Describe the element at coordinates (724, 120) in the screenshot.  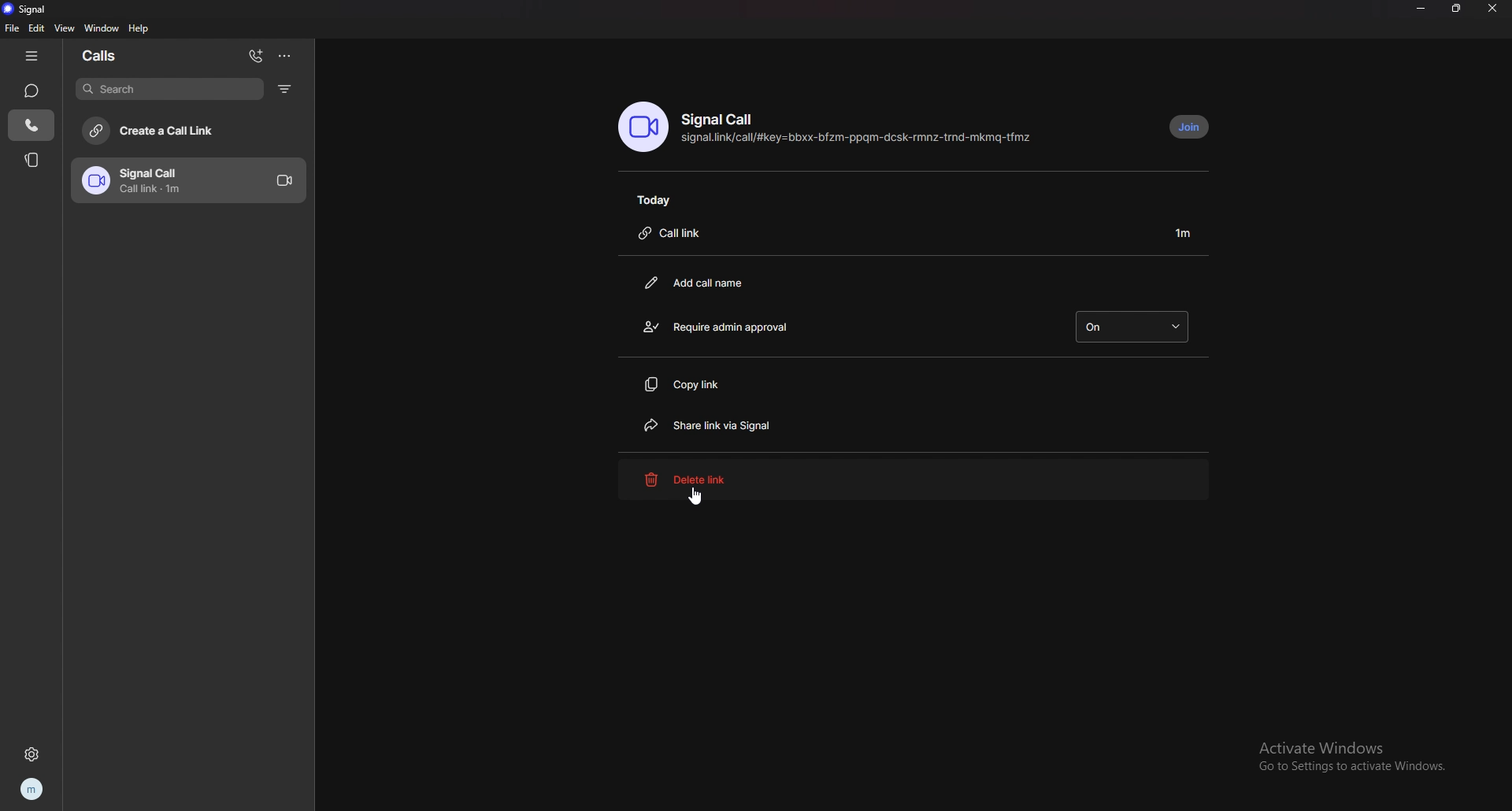
I see `signal call` at that location.